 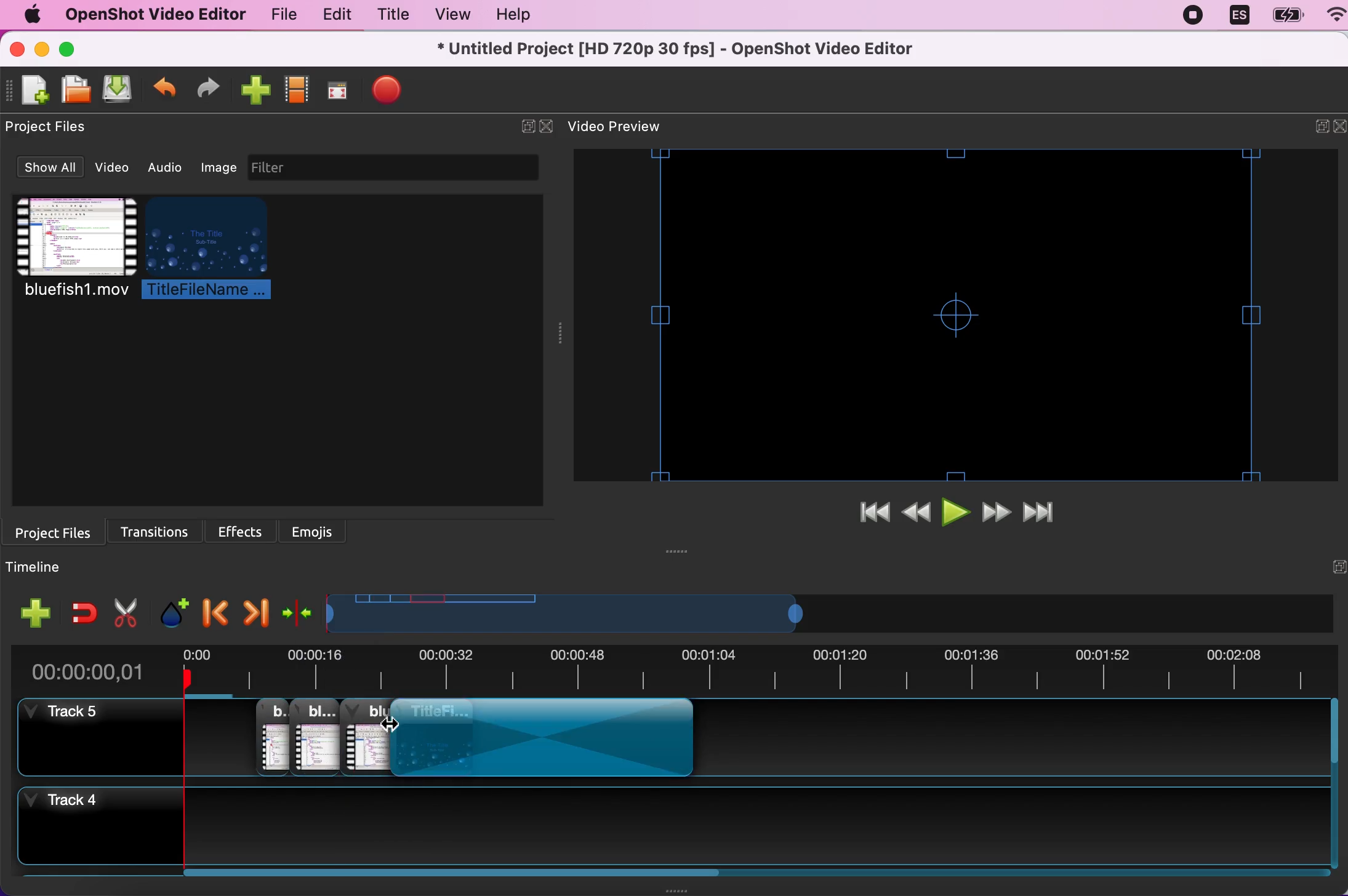 I want to click on minimize, so click(x=41, y=50).